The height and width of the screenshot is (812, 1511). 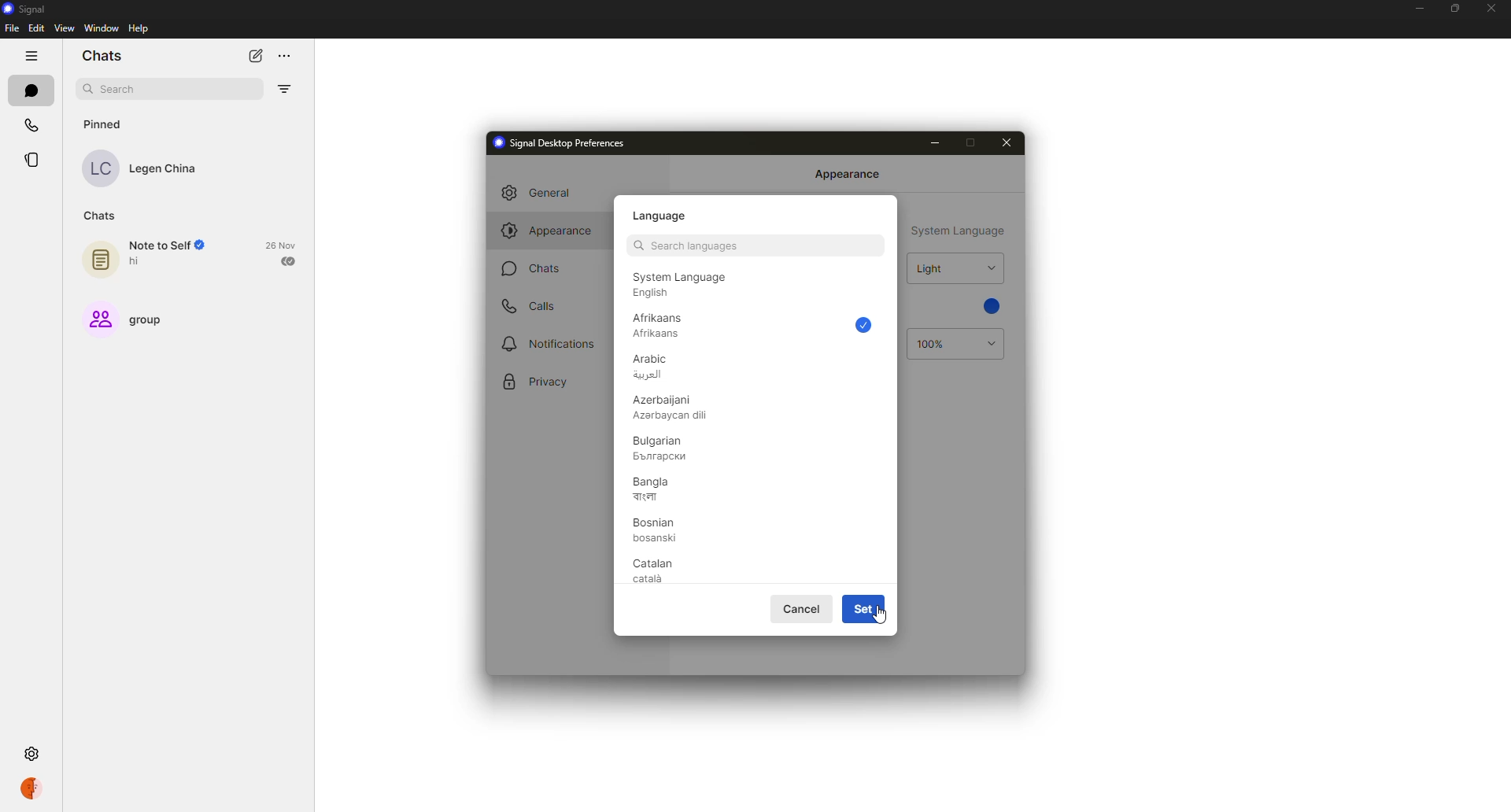 I want to click on note to self, so click(x=150, y=255).